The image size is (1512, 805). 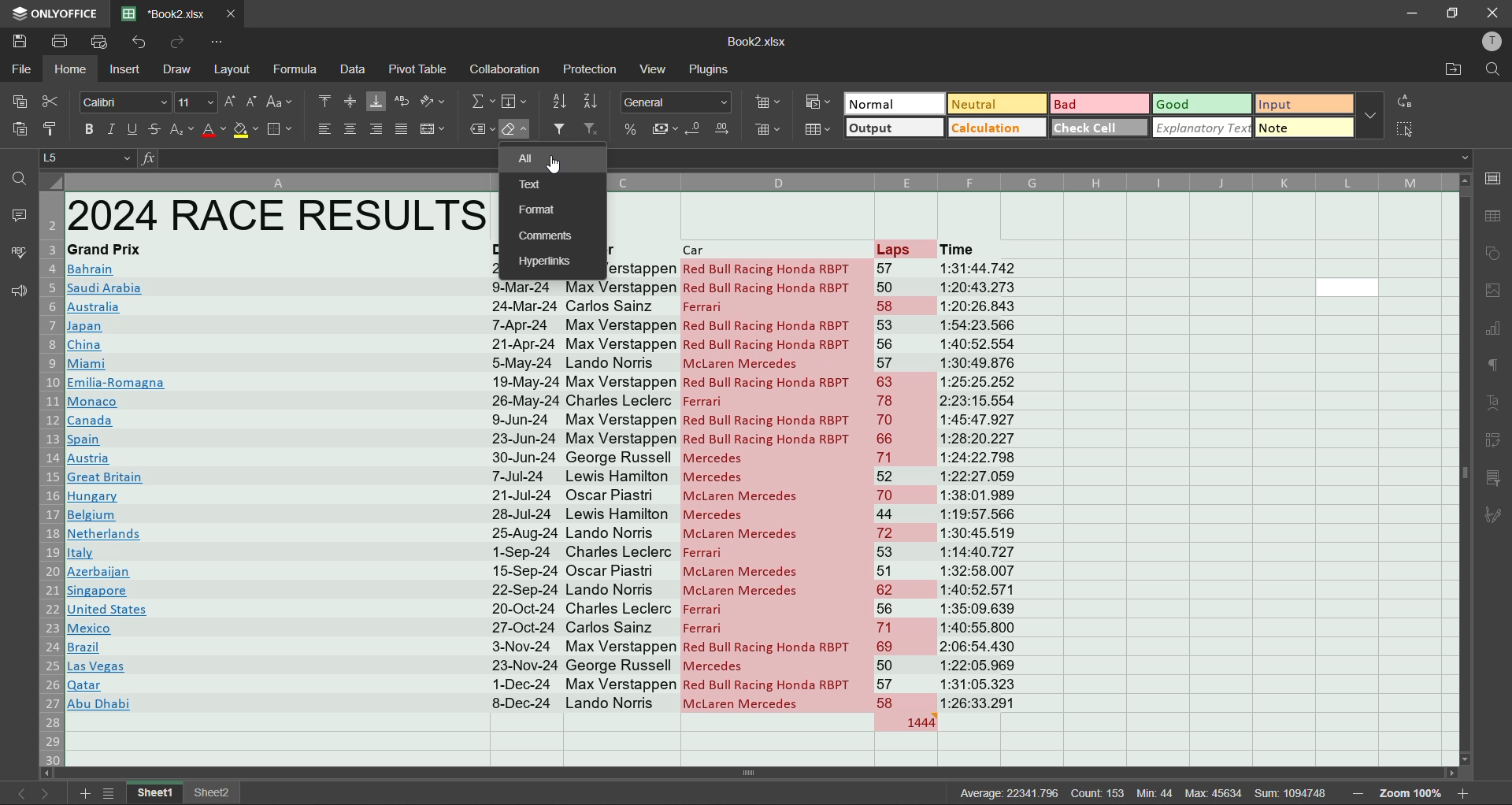 What do you see at coordinates (558, 168) in the screenshot?
I see `cursor` at bounding box center [558, 168].